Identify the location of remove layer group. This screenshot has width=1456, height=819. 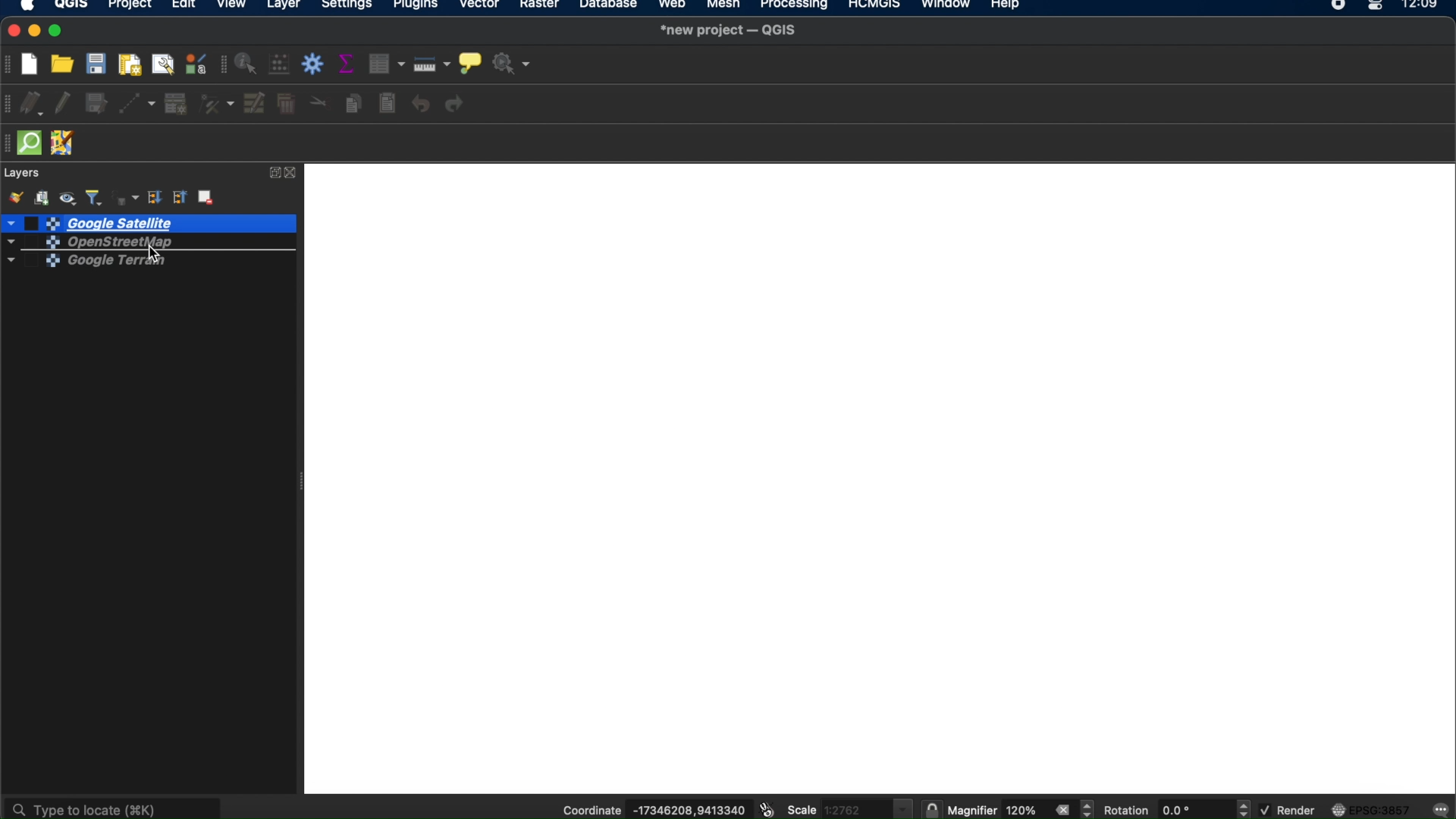
(208, 199).